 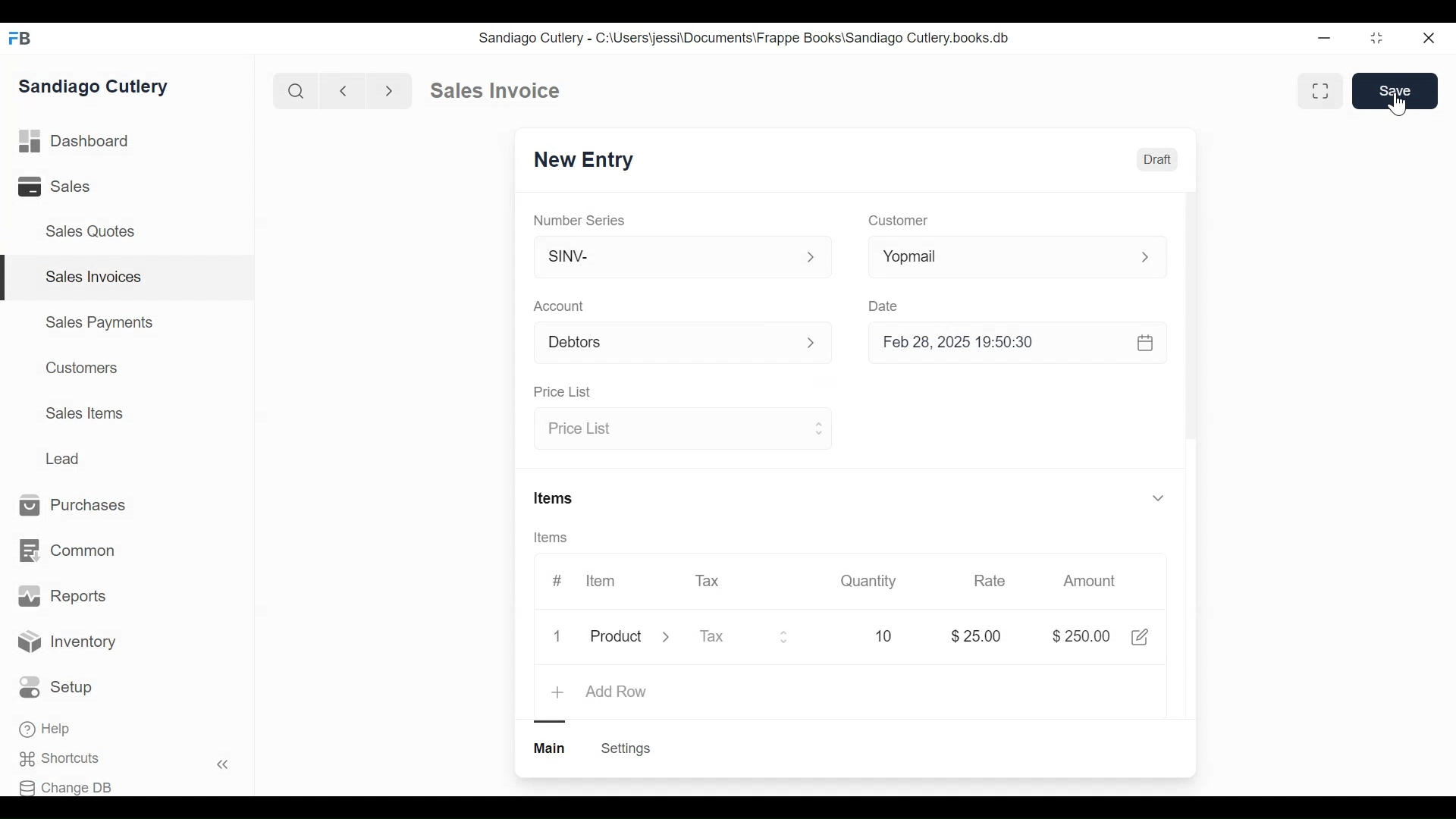 What do you see at coordinates (616, 639) in the screenshot?
I see `product` at bounding box center [616, 639].